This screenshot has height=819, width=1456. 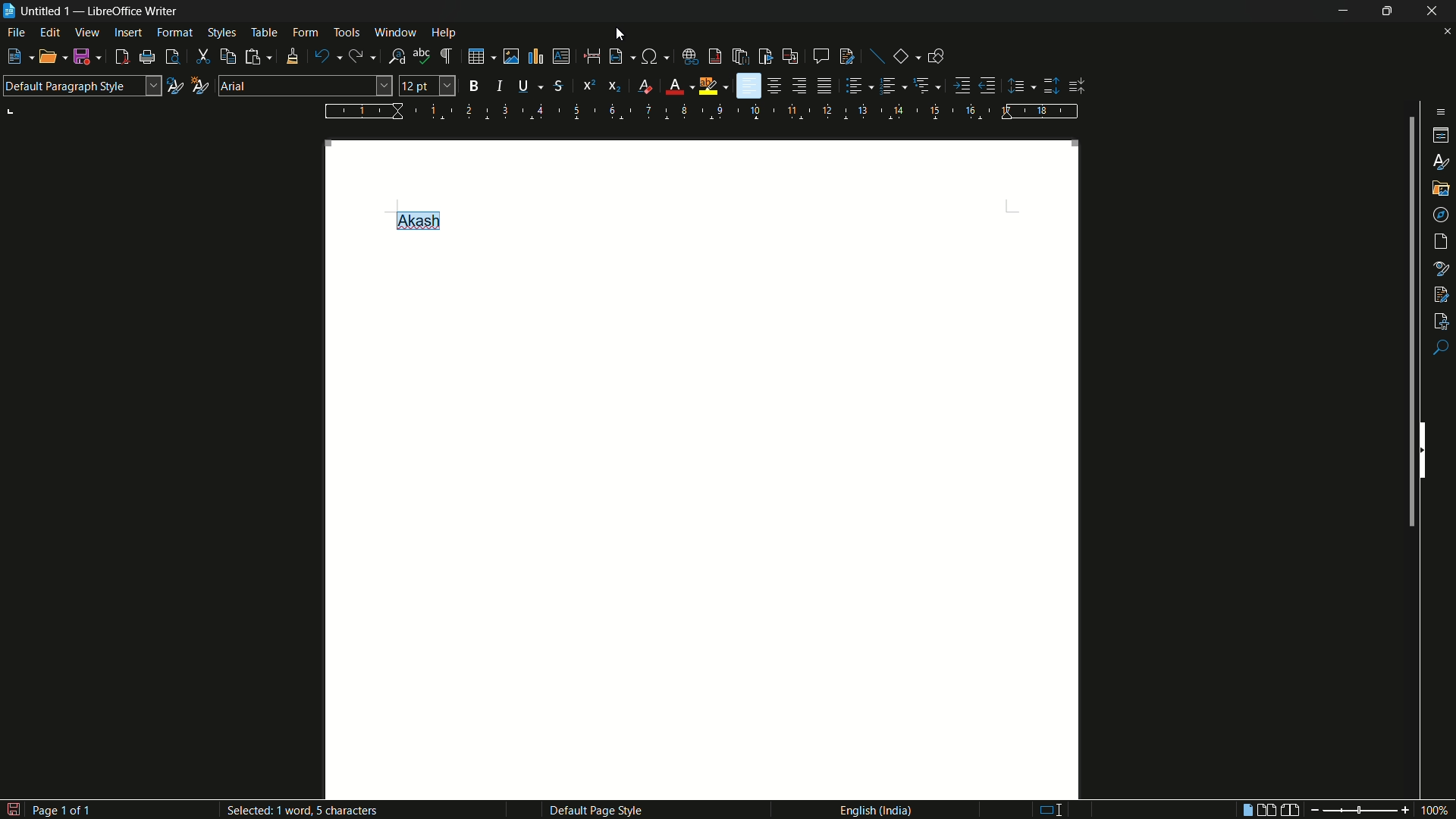 I want to click on font size, so click(x=428, y=86).